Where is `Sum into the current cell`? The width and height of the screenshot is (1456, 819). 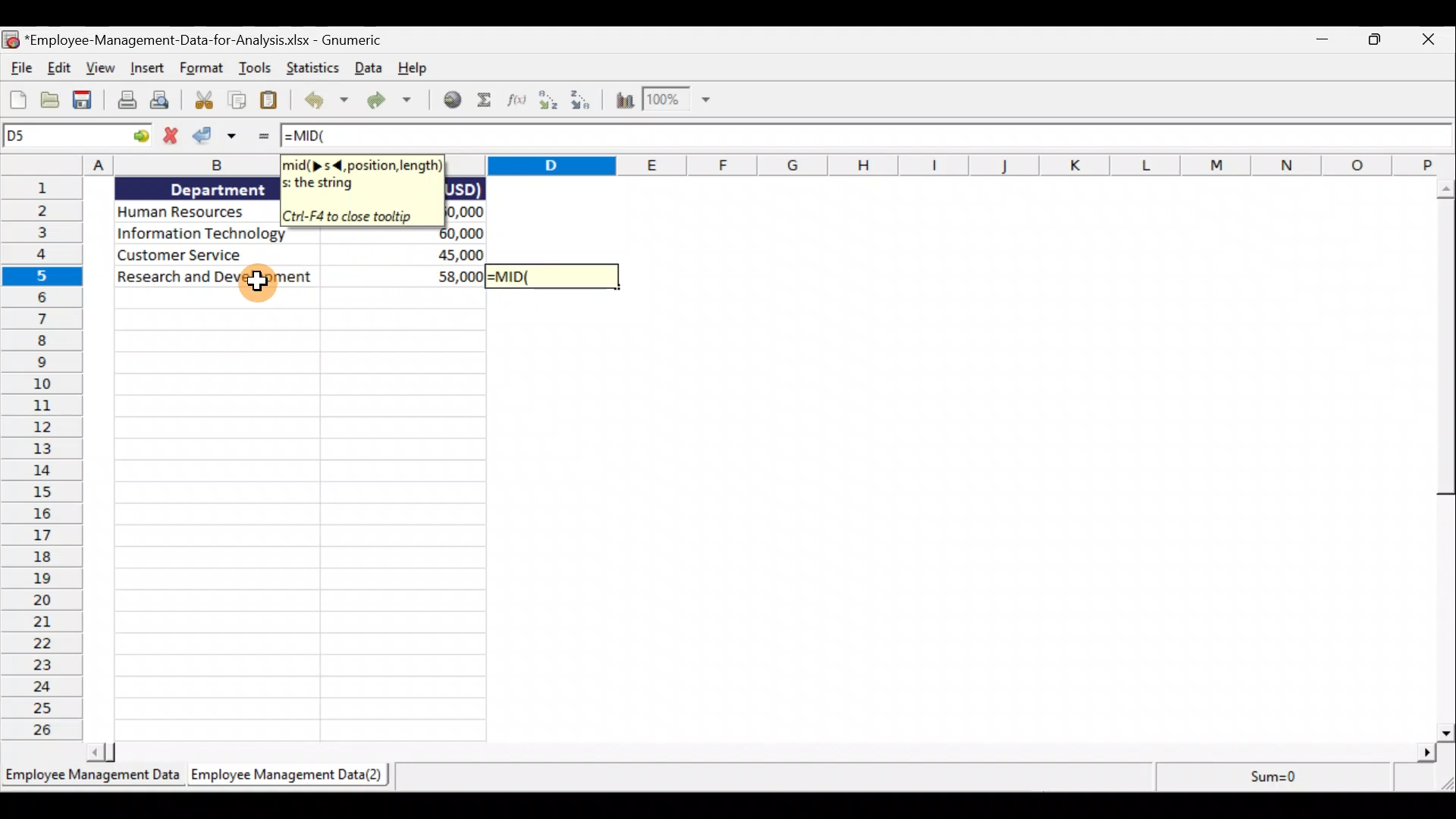 Sum into the current cell is located at coordinates (485, 103).